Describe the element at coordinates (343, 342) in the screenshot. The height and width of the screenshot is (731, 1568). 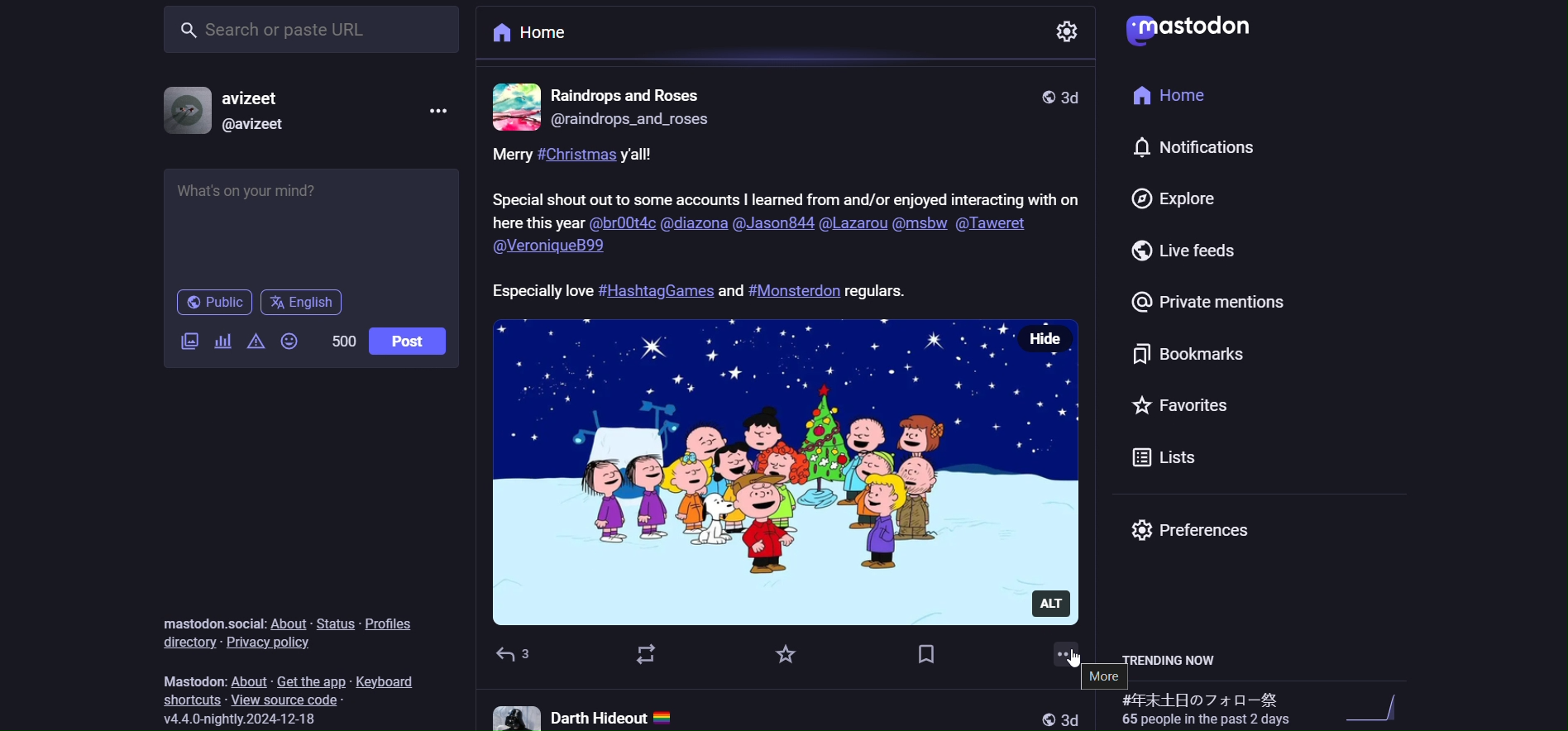
I see `word limit` at that location.